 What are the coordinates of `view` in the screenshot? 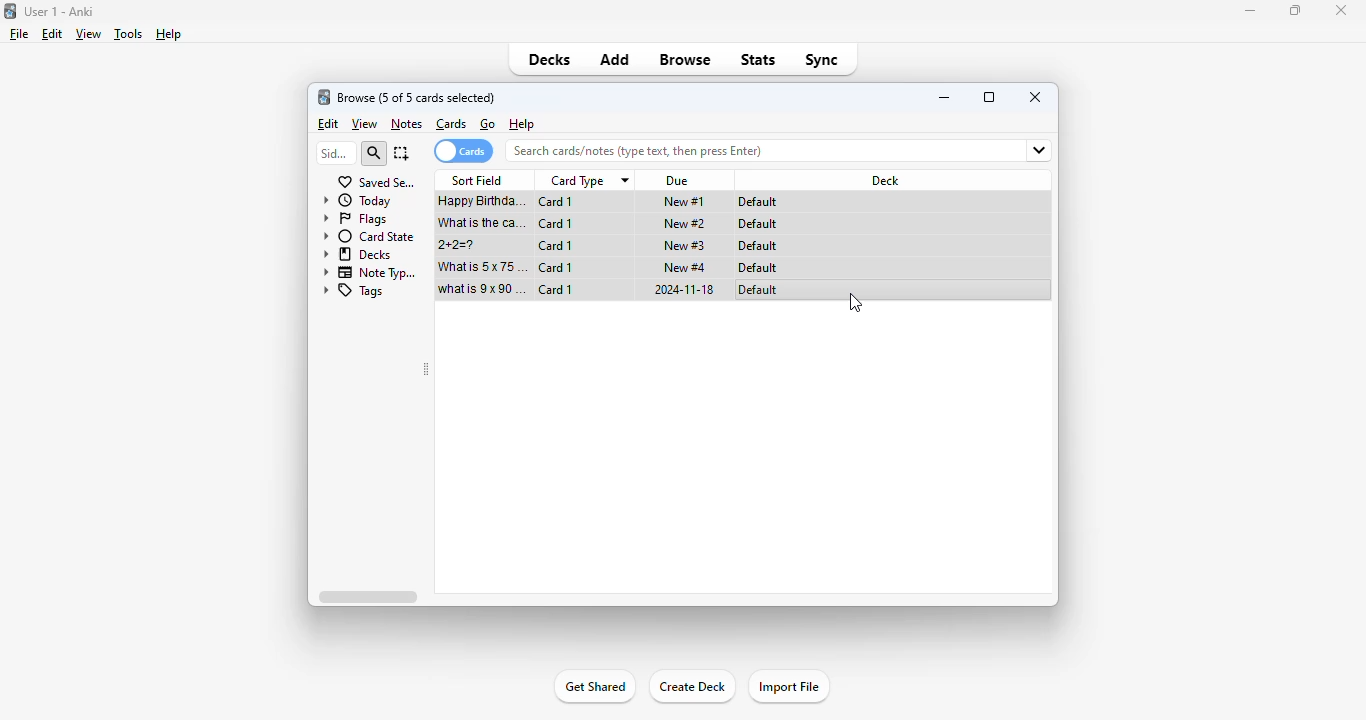 It's located at (89, 34).